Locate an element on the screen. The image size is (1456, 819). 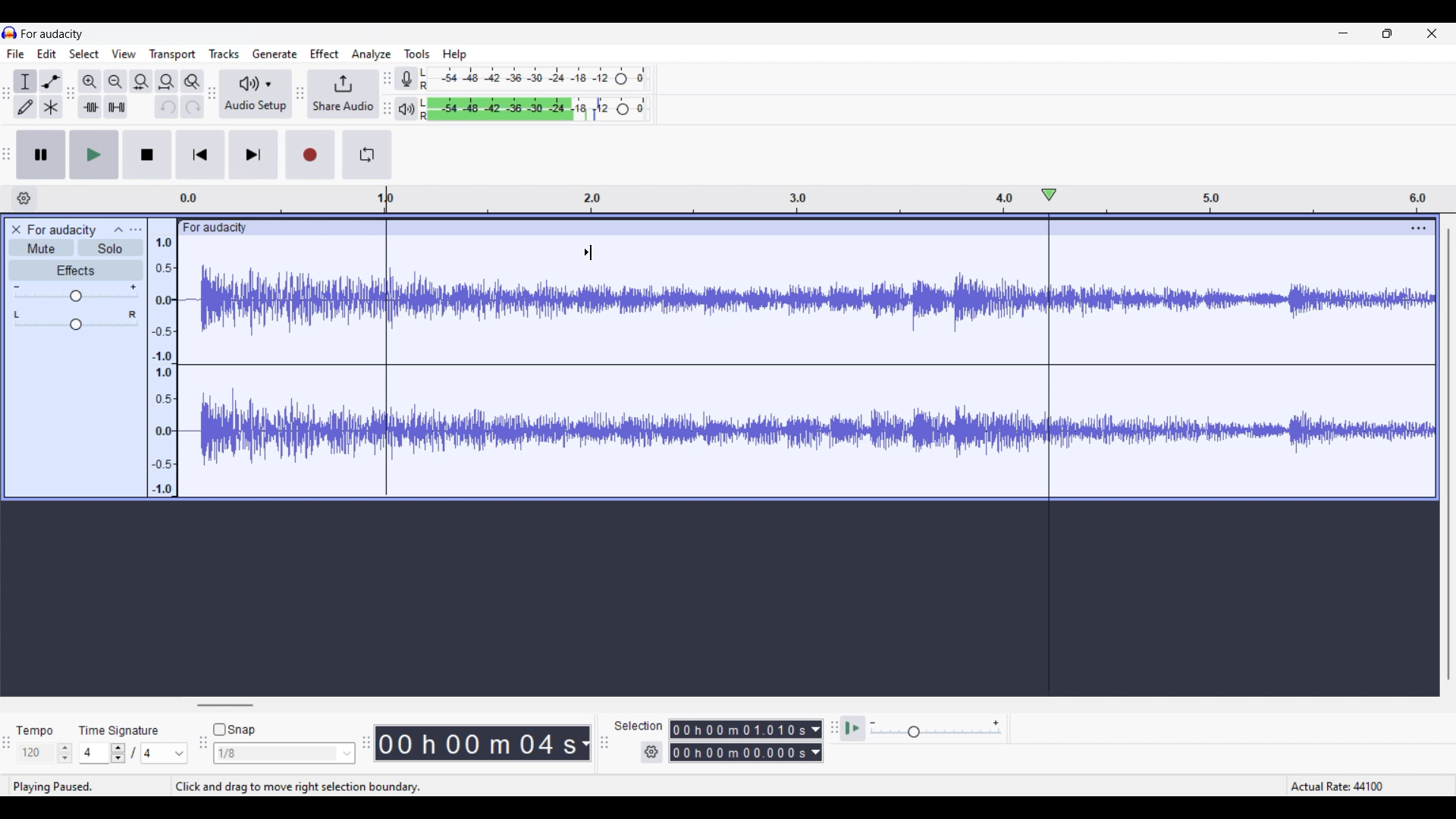
Time signature settings is located at coordinates (133, 753).